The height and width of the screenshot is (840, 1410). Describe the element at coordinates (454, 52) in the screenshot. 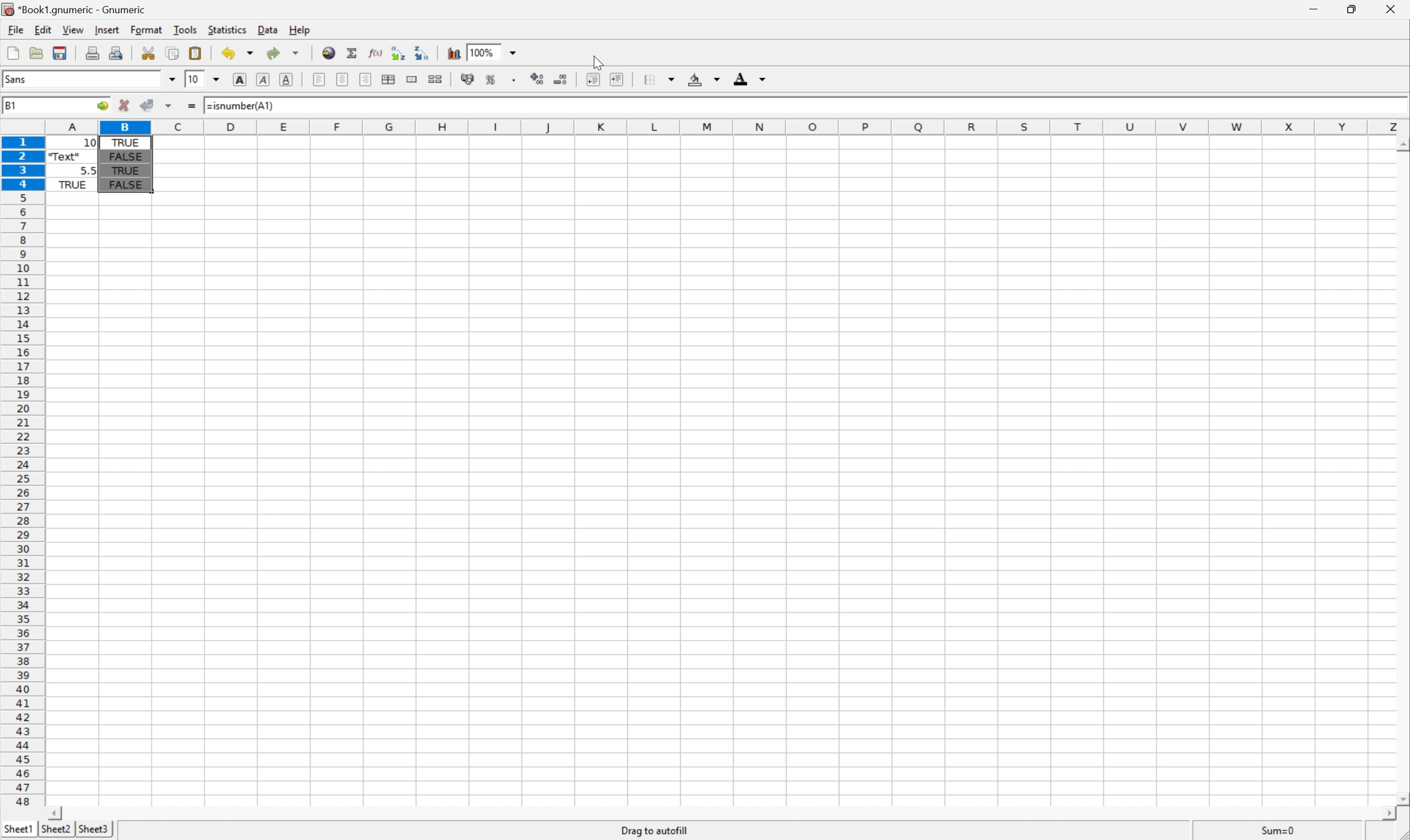

I see `Insert a chart` at that location.